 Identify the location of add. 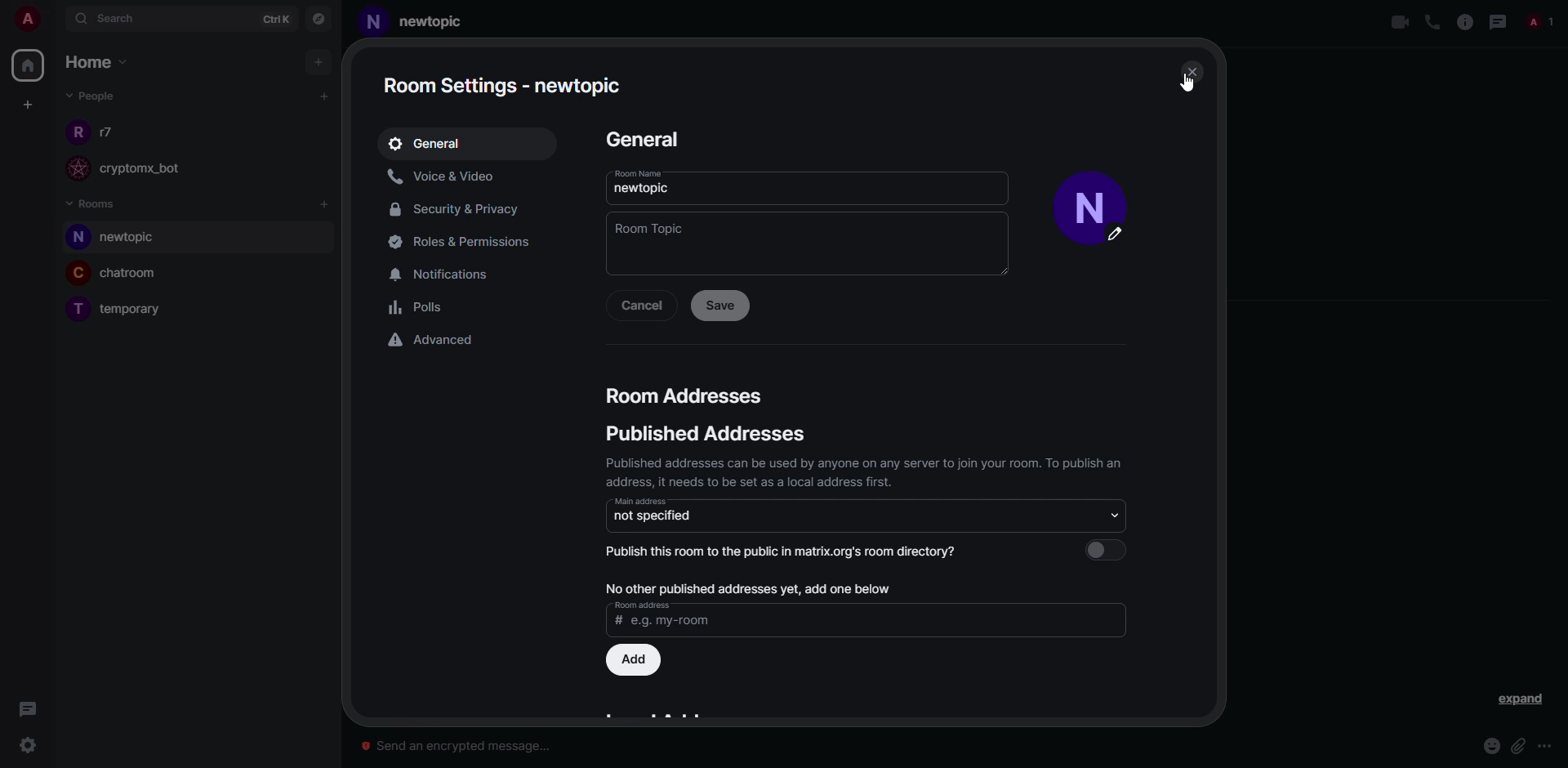
(321, 61).